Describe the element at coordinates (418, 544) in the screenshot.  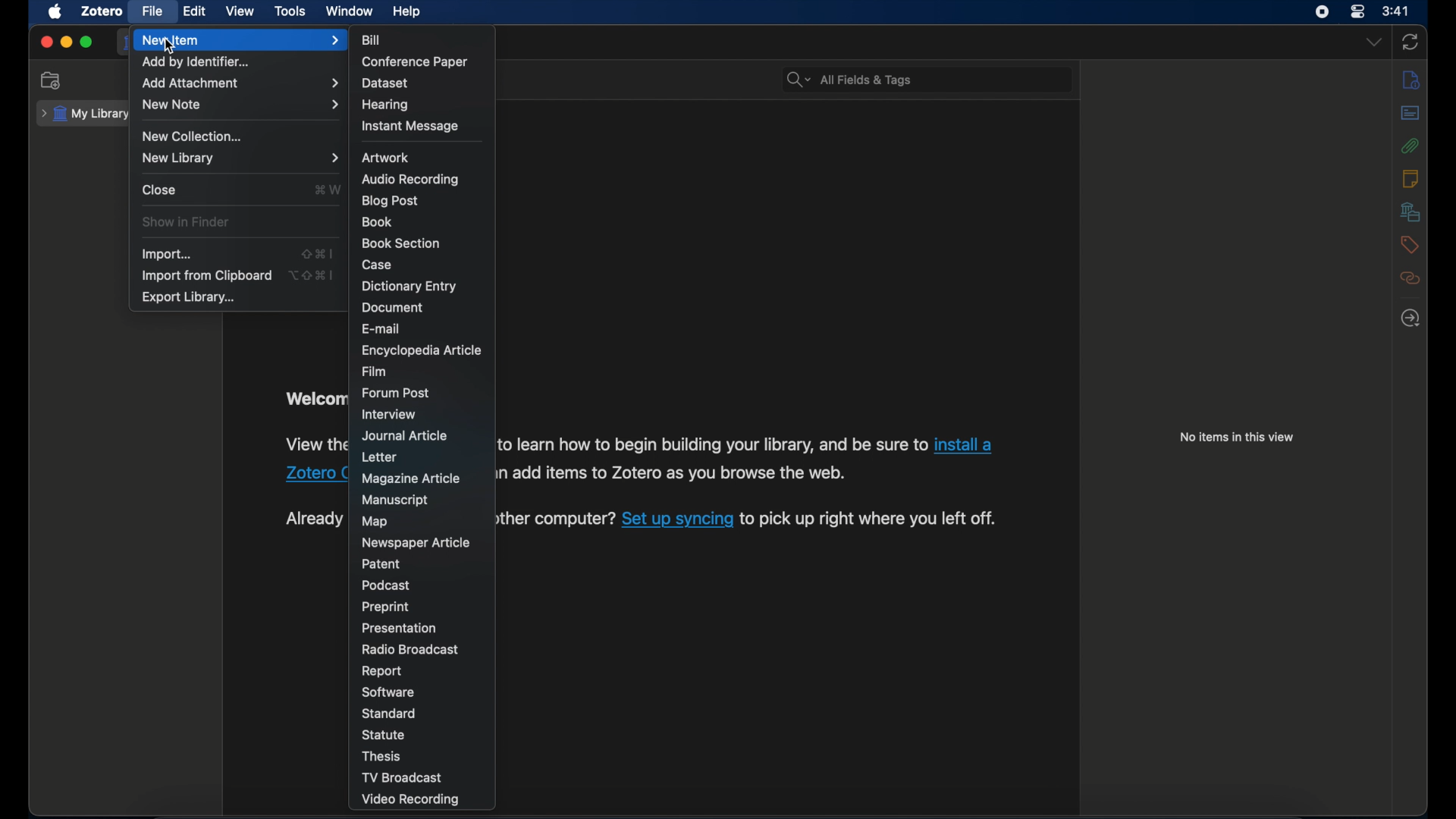
I see `newspaper article` at that location.